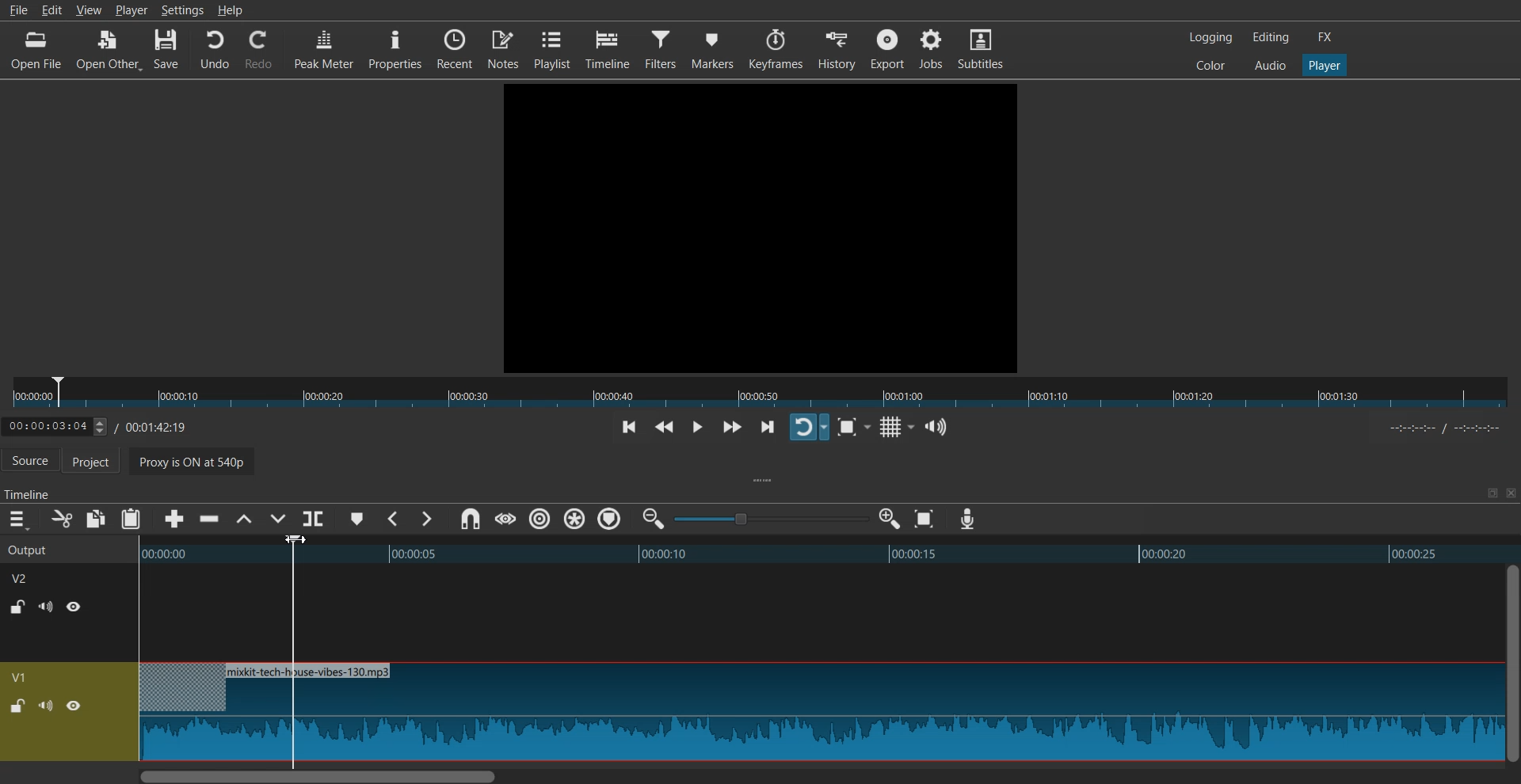 This screenshot has height=784, width=1521. I want to click on V2, so click(28, 577).